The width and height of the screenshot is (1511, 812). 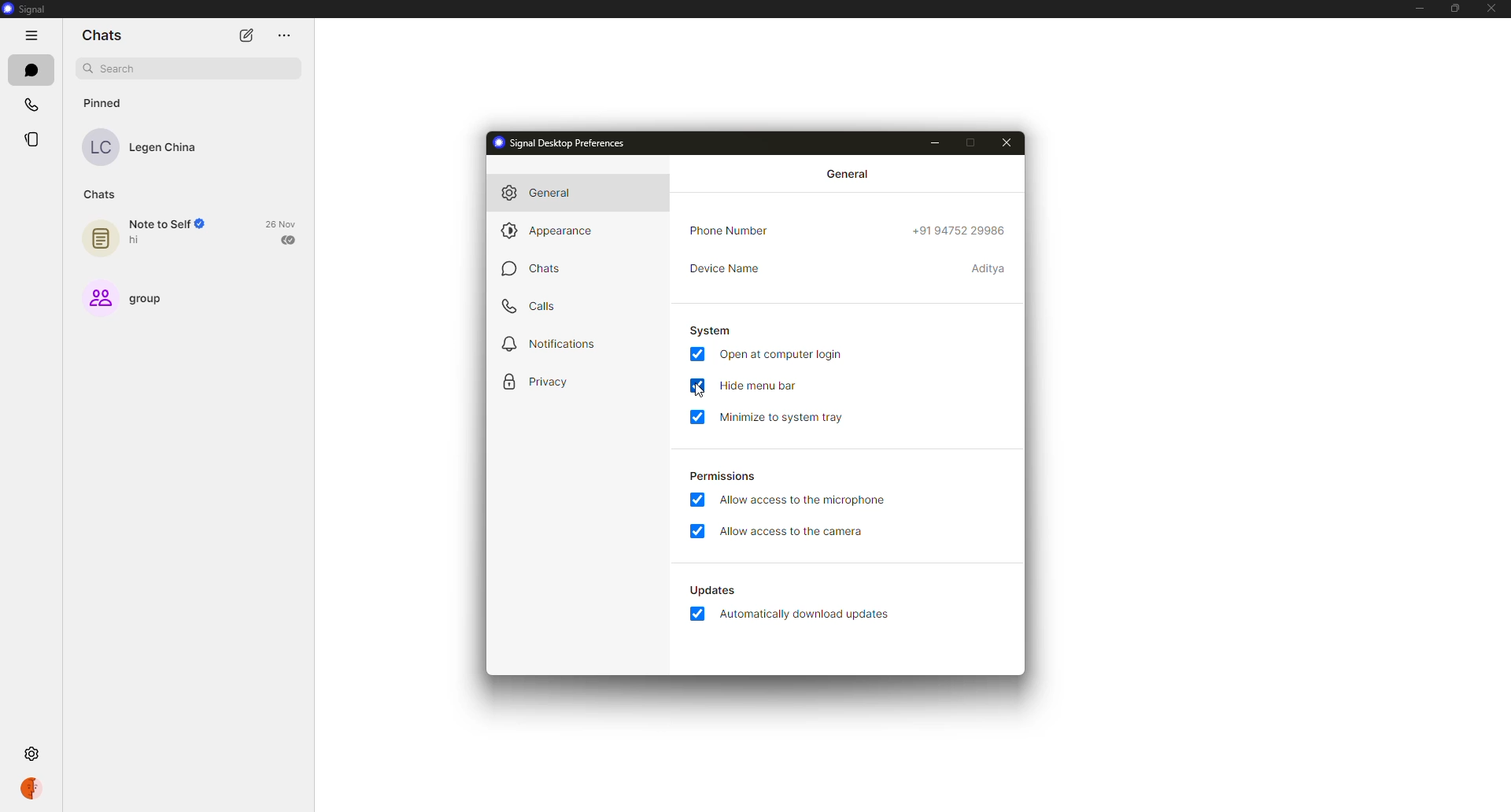 I want to click on general, so click(x=539, y=192).